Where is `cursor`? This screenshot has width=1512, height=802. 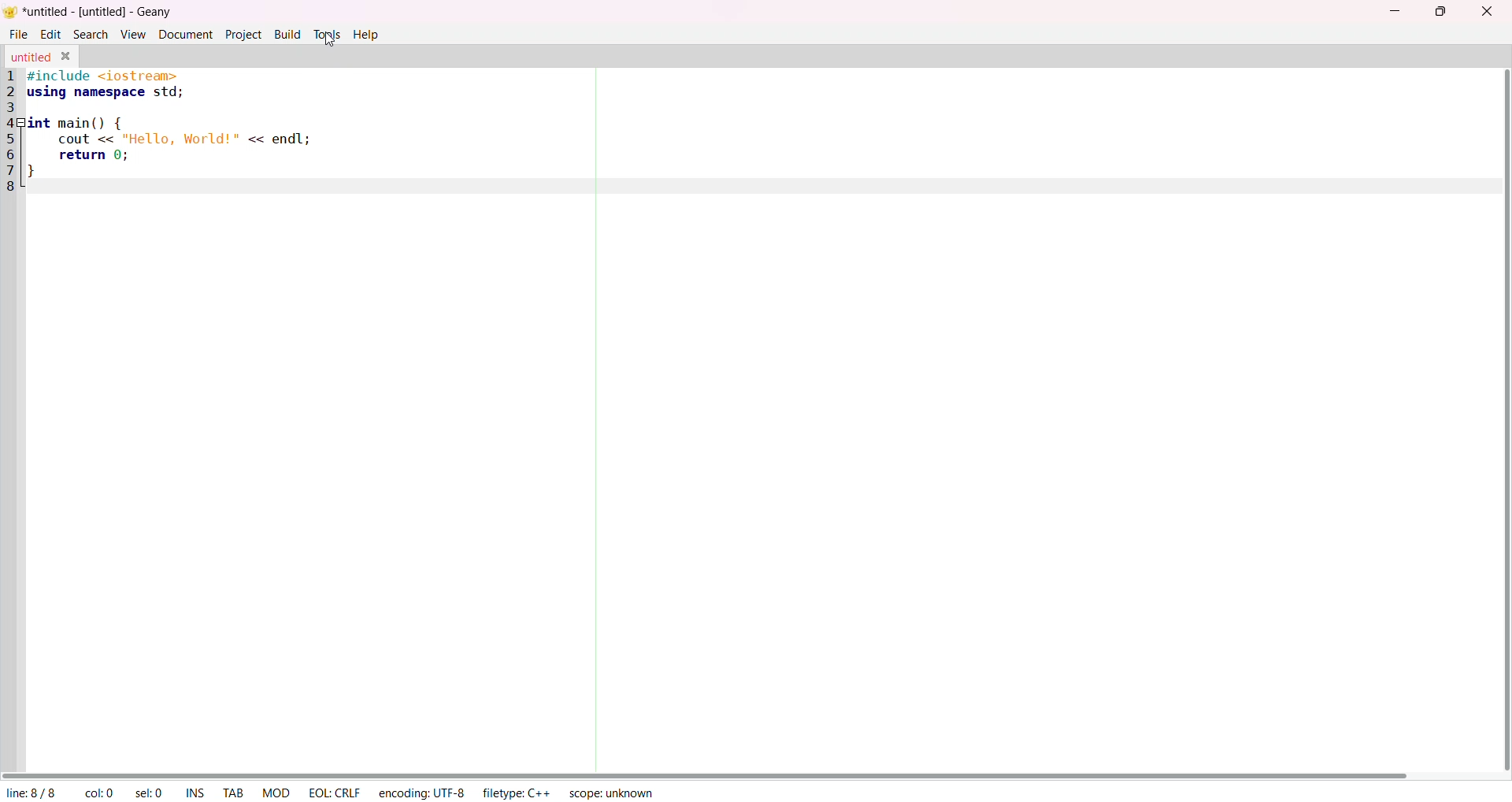
cursor is located at coordinates (325, 42).